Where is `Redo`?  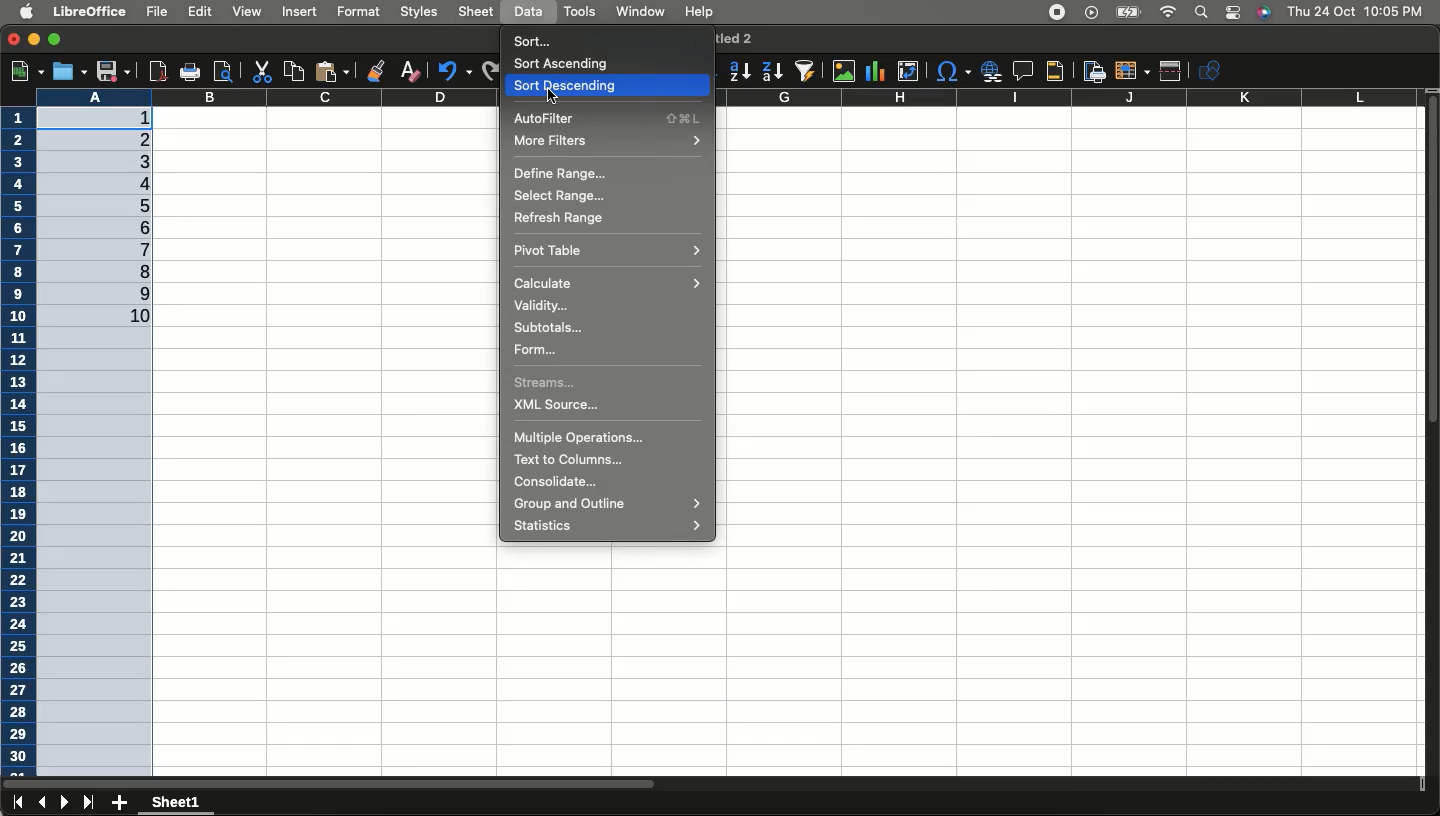 Redo is located at coordinates (487, 69).